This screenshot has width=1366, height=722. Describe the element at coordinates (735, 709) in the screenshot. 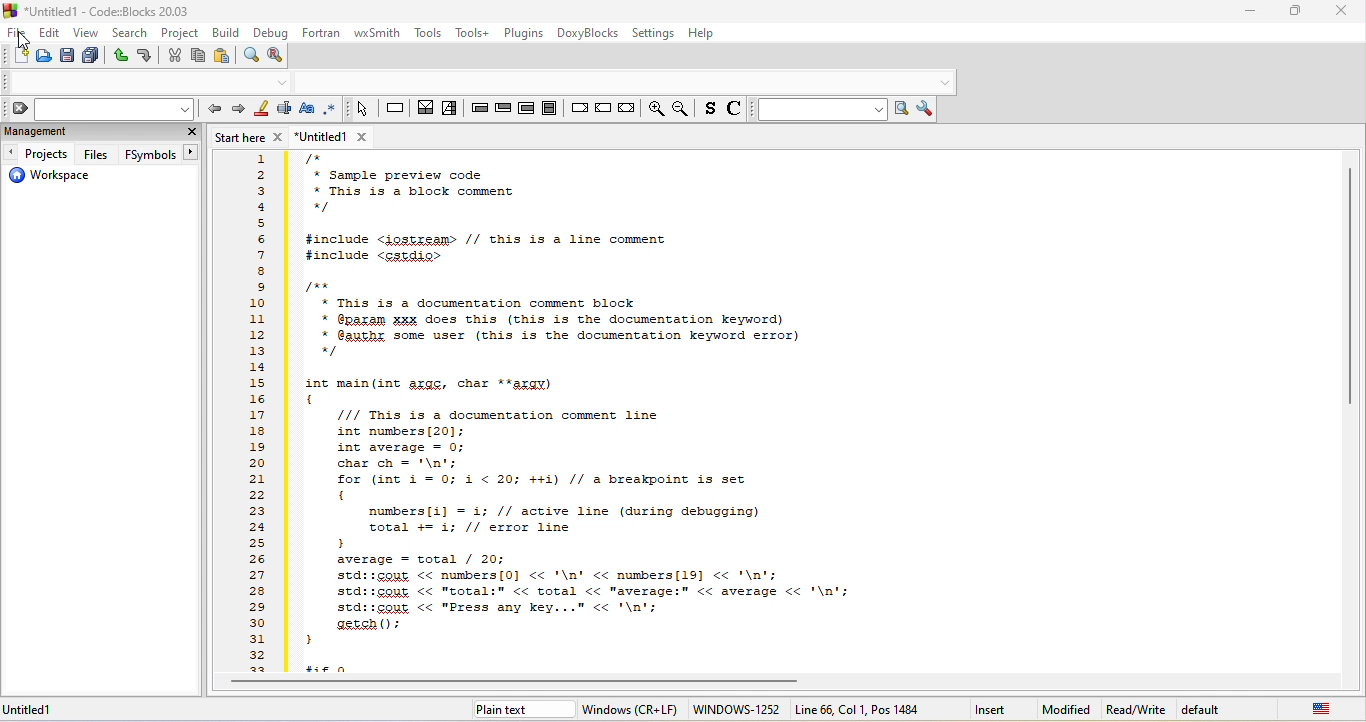

I see `windows-1252` at that location.